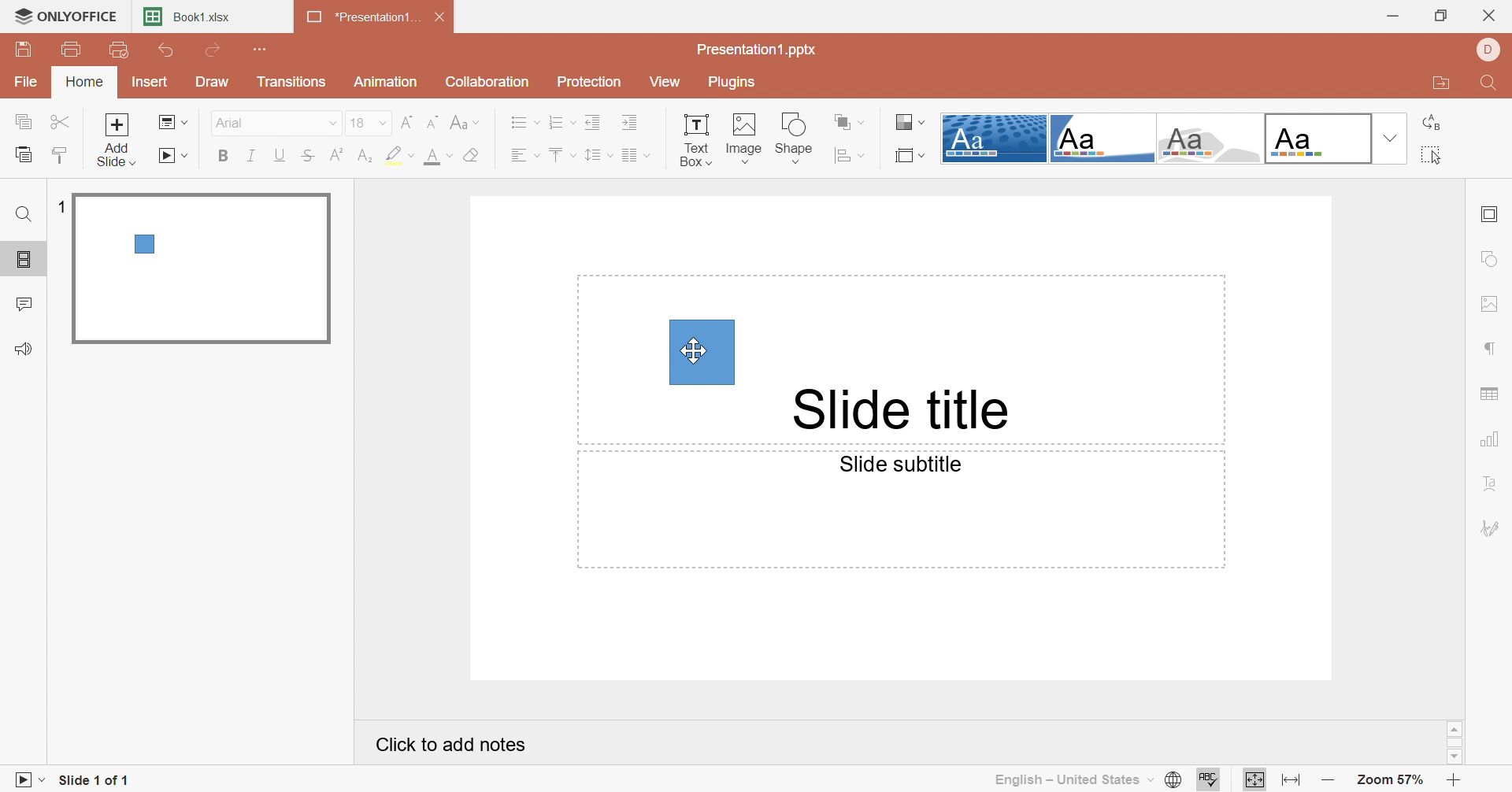  Describe the element at coordinates (908, 157) in the screenshot. I see `Select slide size` at that location.